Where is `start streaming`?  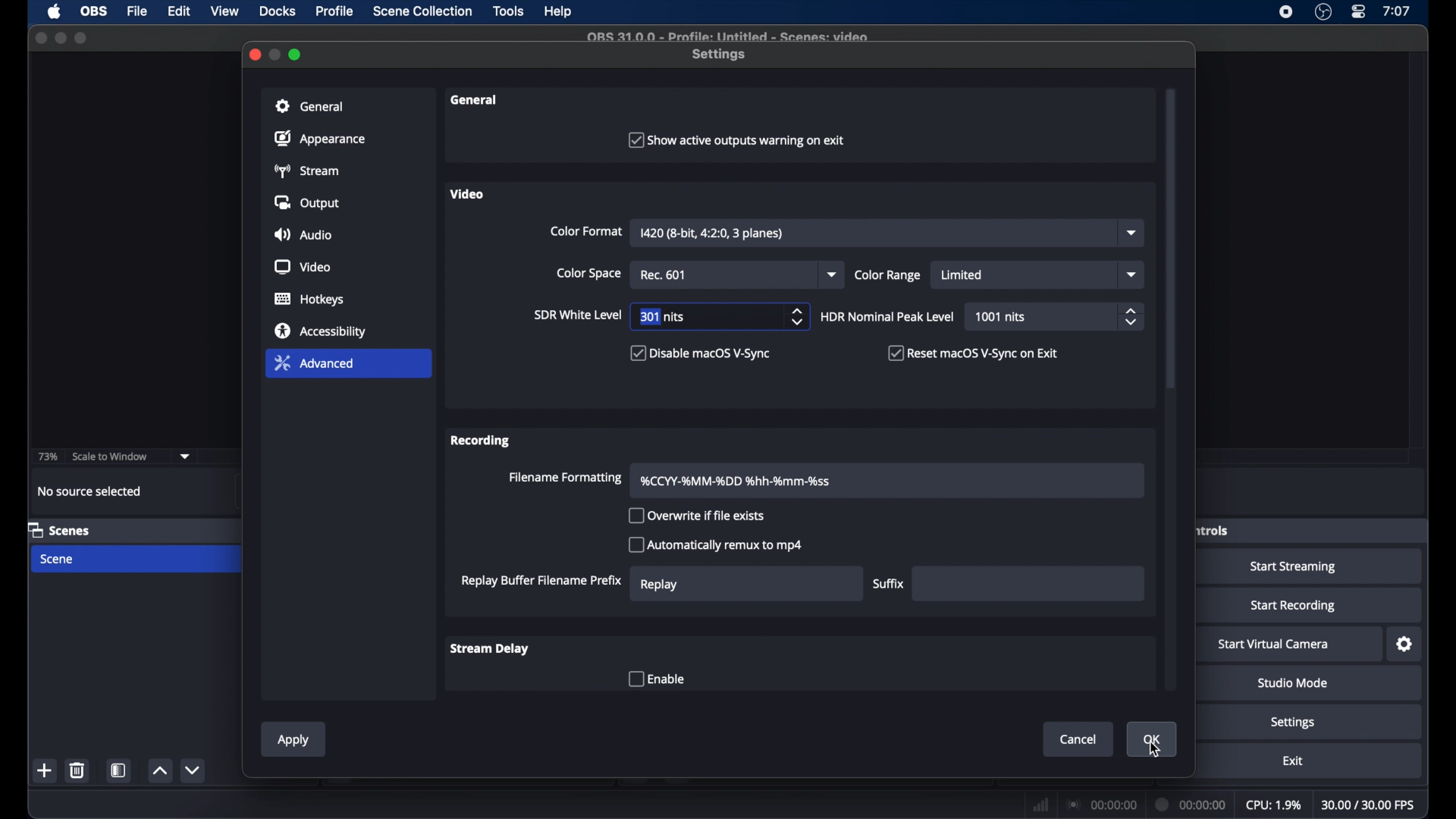
start streaming is located at coordinates (1294, 567).